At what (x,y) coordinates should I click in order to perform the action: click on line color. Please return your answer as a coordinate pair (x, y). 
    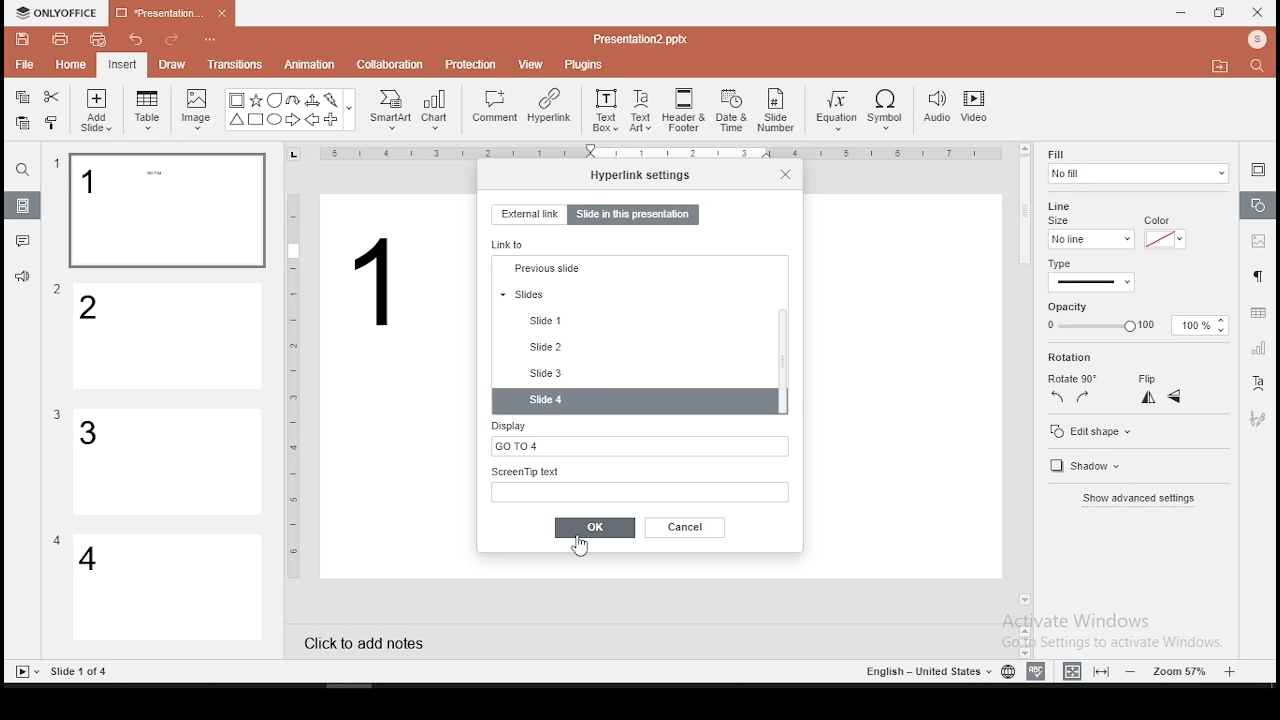
    Looking at the image, I should click on (1163, 238).